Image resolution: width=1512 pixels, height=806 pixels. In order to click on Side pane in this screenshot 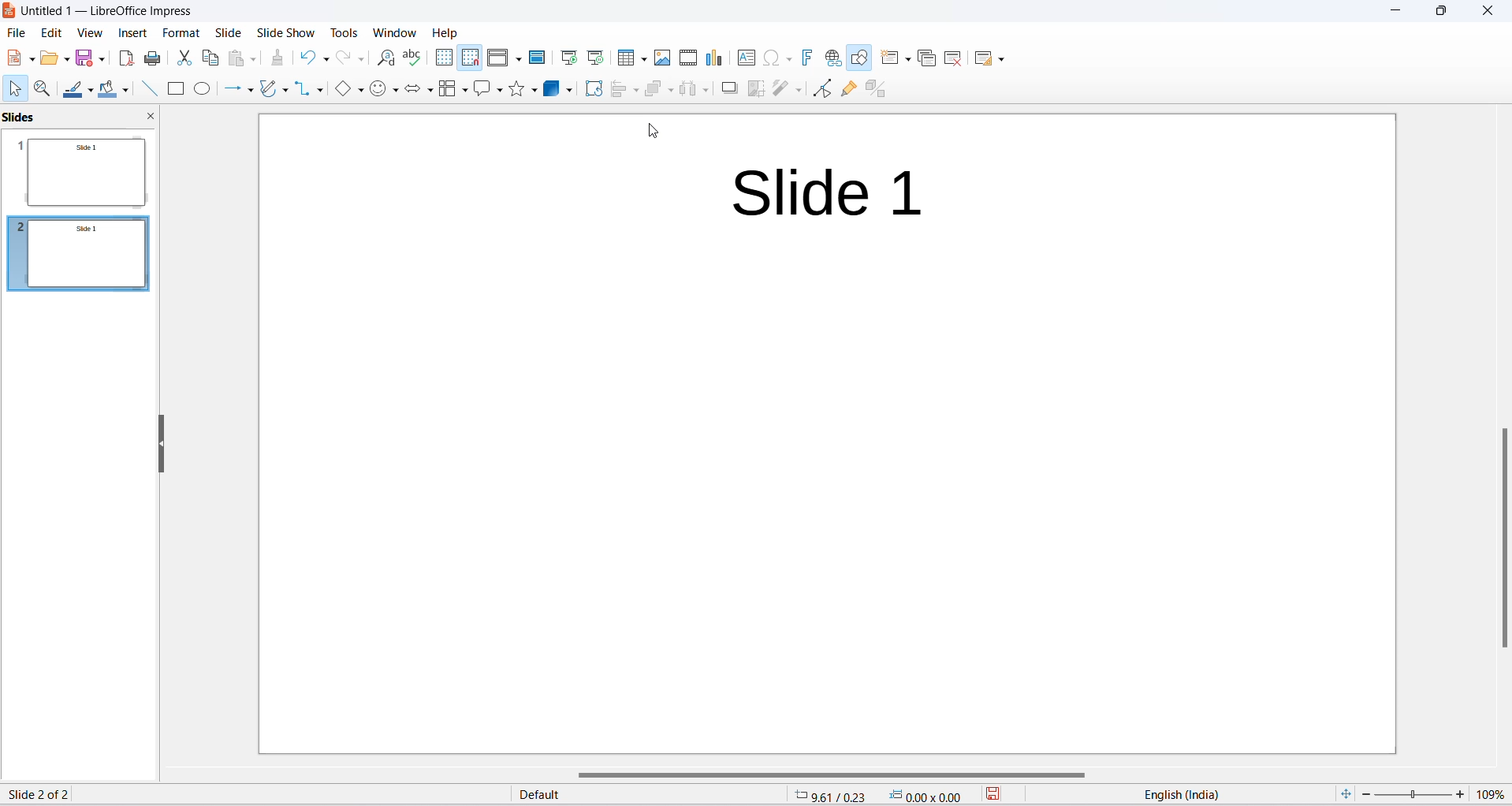, I will do `click(68, 117)`.